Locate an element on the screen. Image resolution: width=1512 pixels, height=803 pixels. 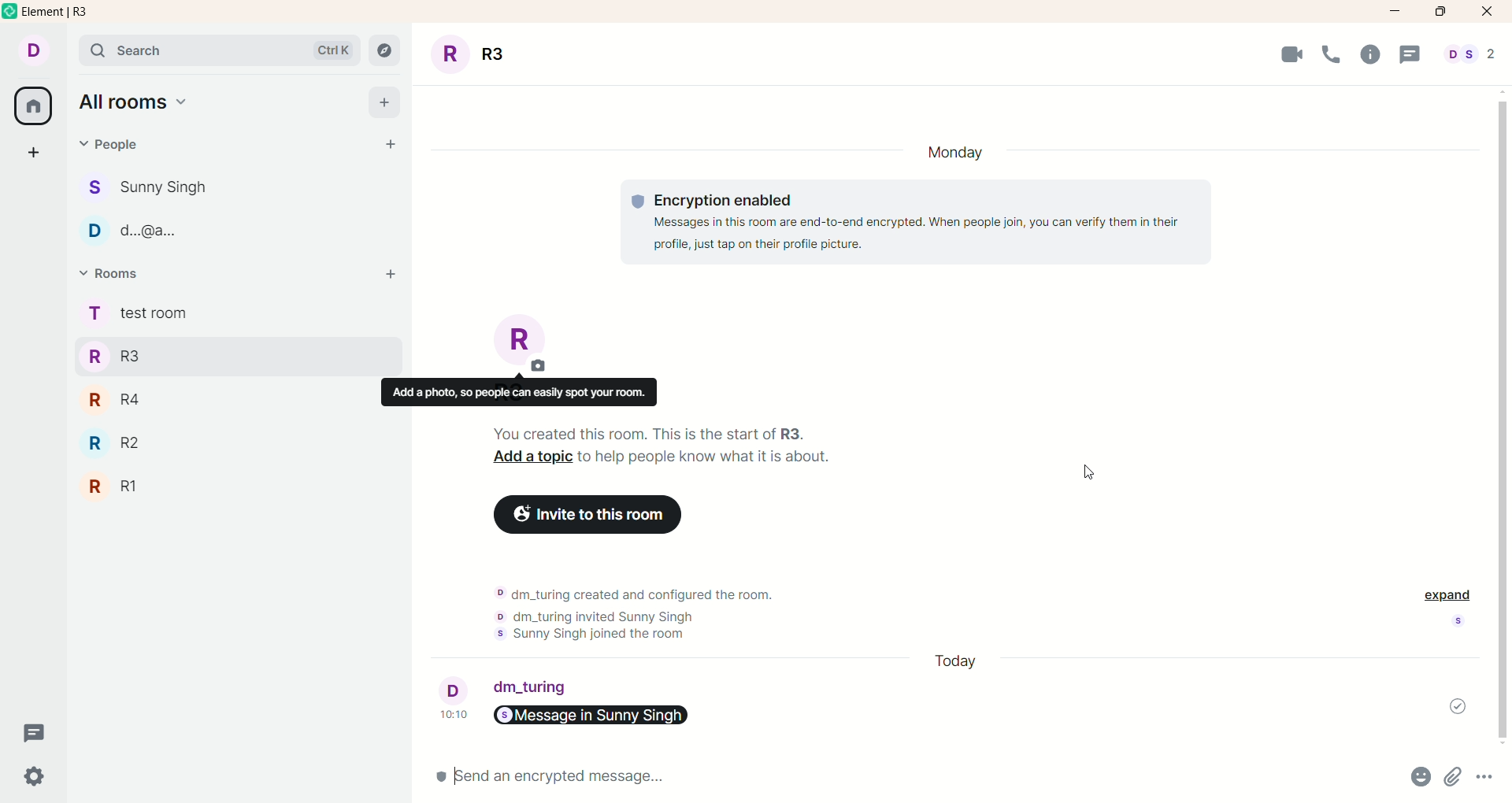
R3 is located at coordinates (120, 359).